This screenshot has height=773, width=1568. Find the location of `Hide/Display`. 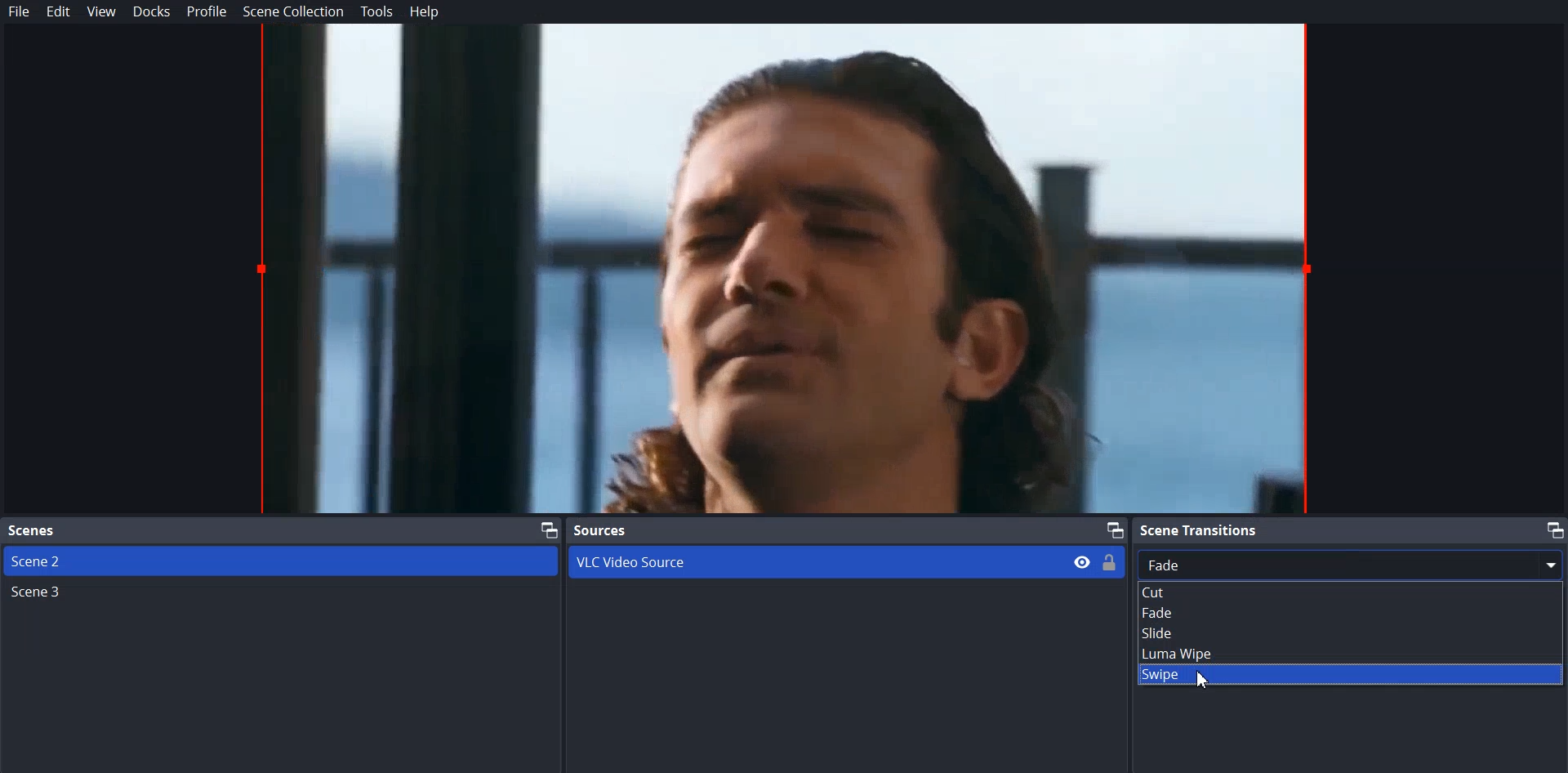

Hide/Display is located at coordinates (1082, 562).